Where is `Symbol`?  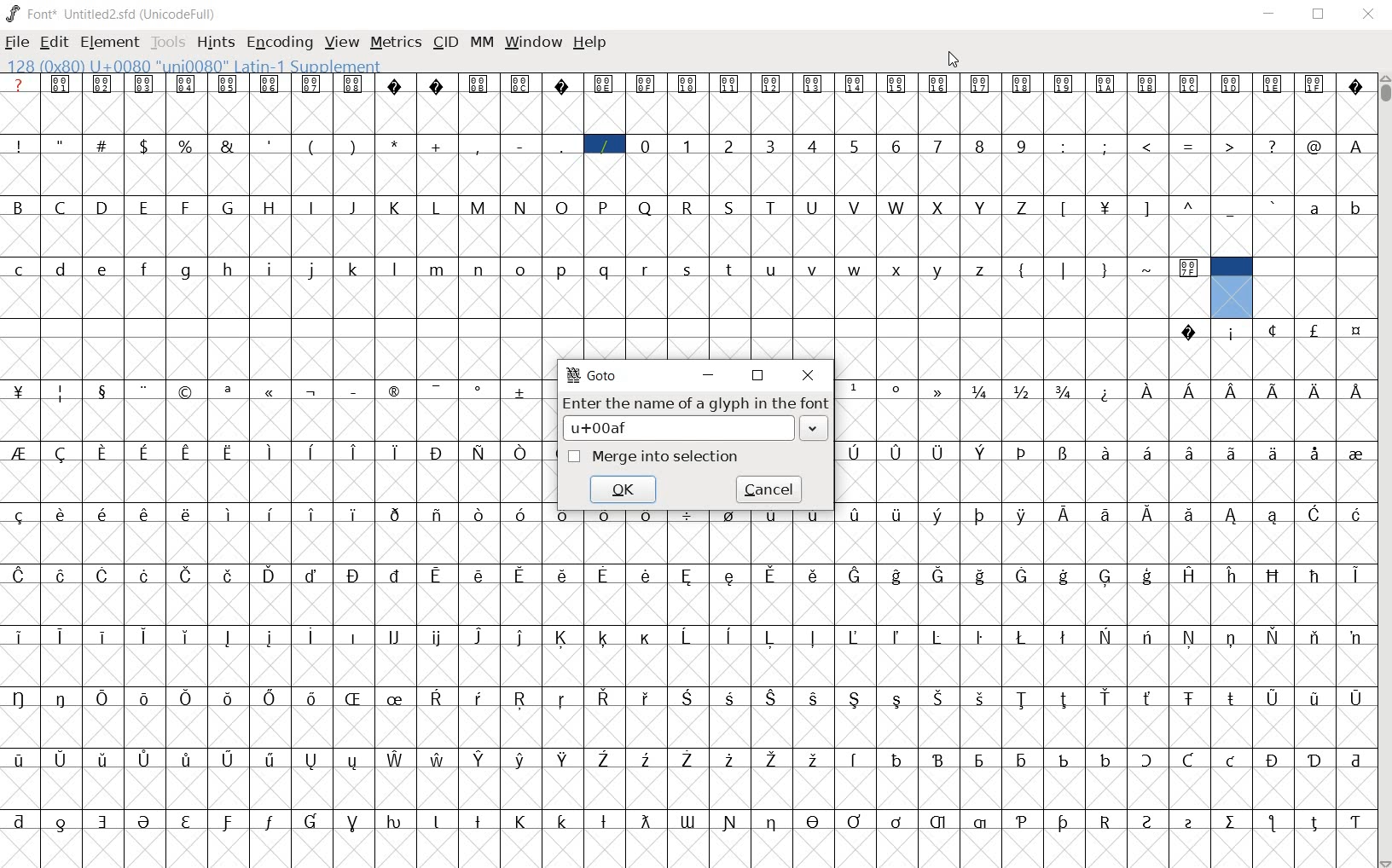
Symbol is located at coordinates (272, 514).